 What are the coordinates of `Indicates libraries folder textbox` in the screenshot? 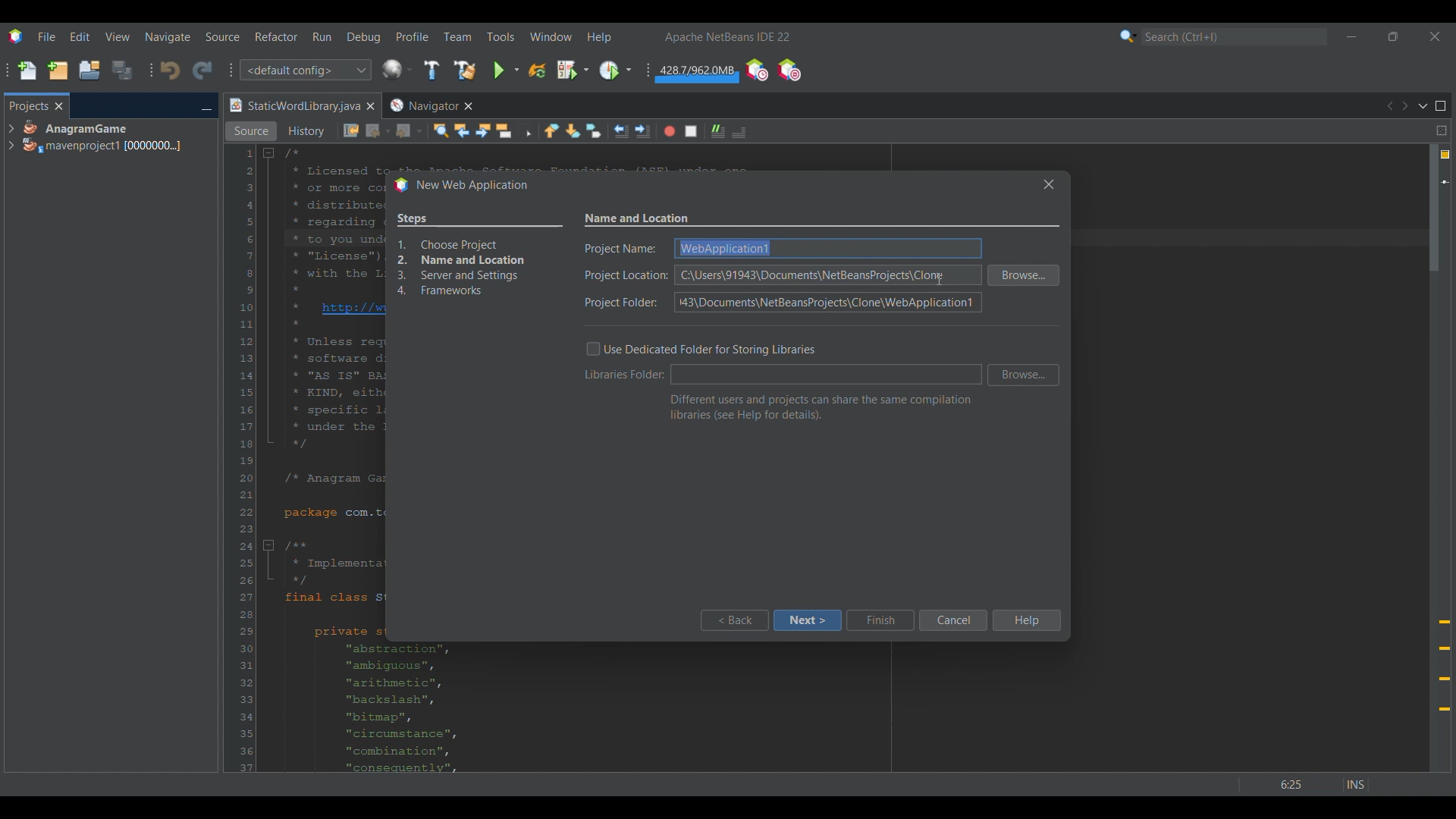 It's located at (625, 374).